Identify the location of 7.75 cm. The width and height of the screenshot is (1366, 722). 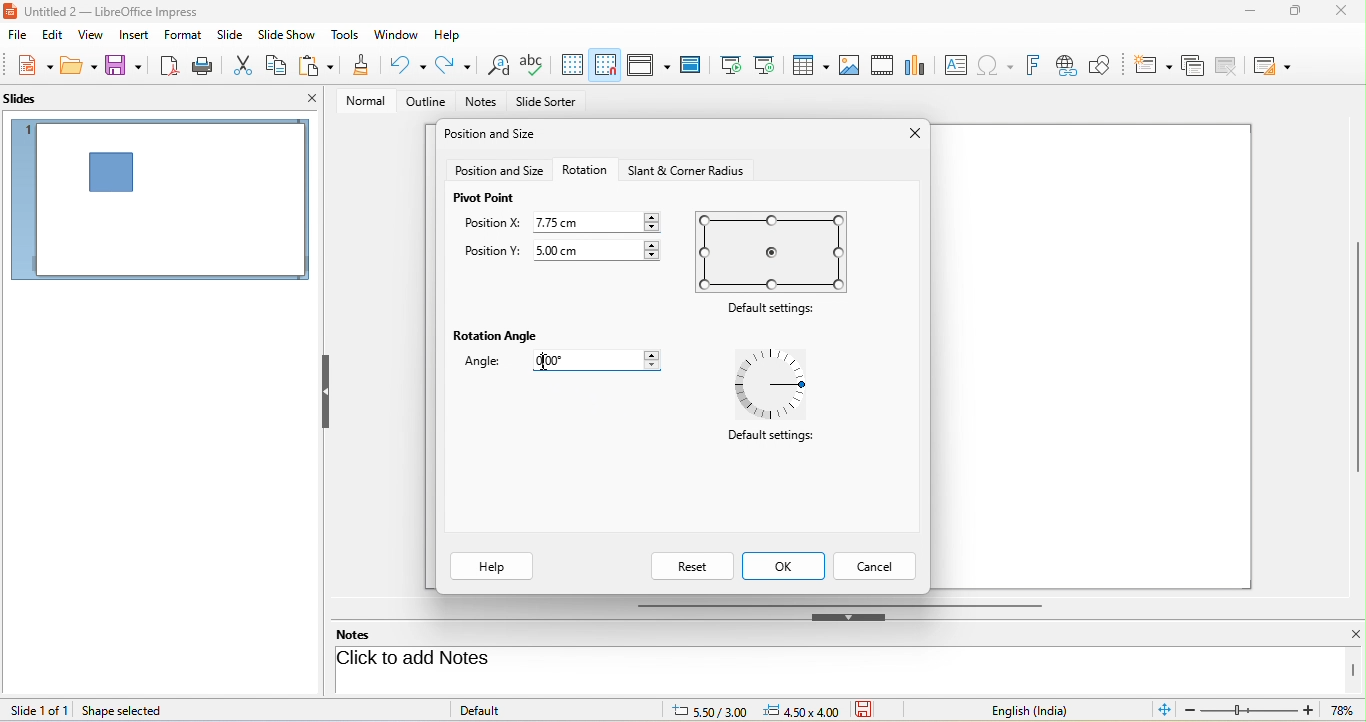
(599, 221).